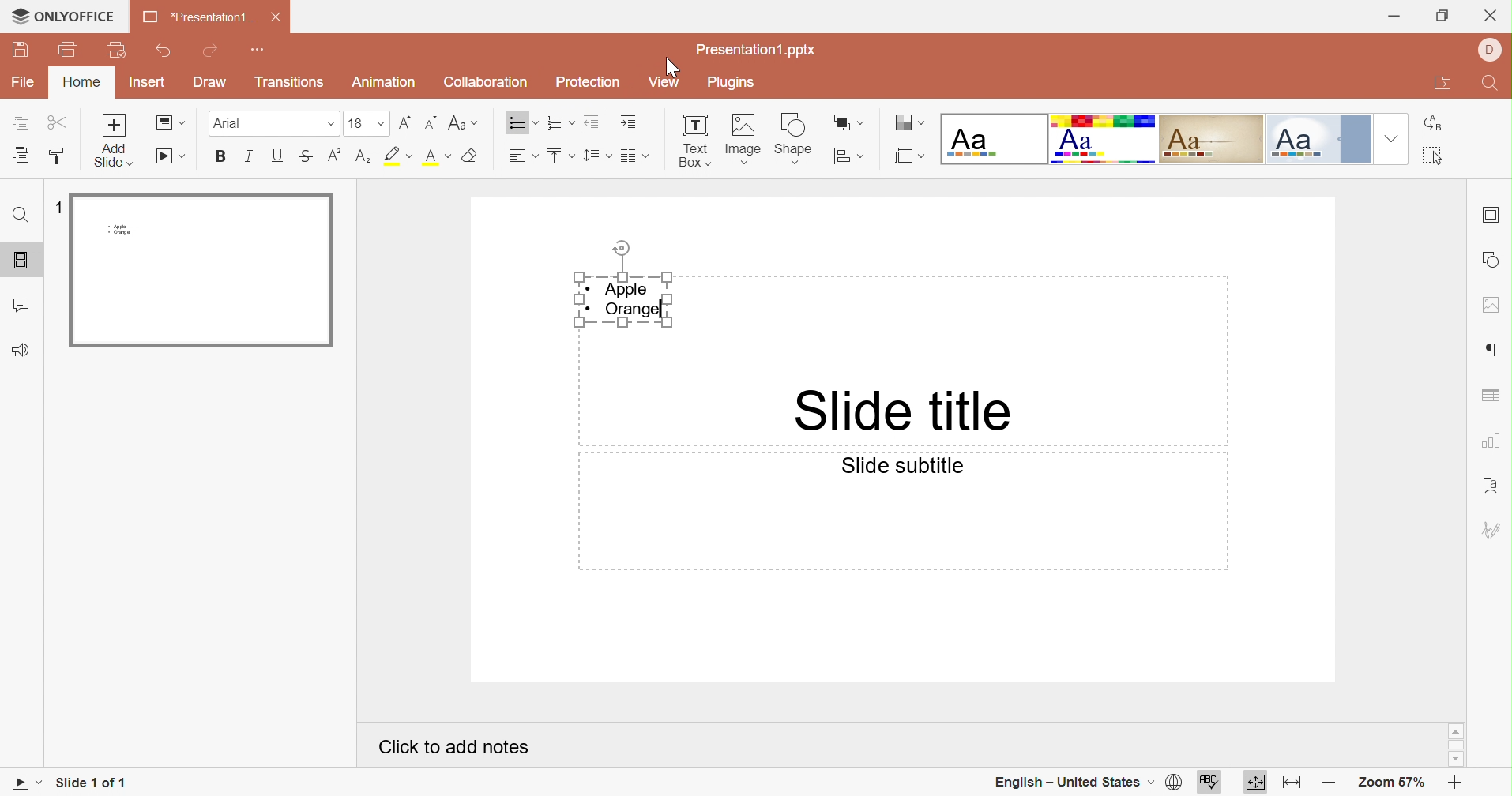 This screenshot has width=1512, height=796. Describe the element at coordinates (69, 51) in the screenshot. I see `print` at that location.